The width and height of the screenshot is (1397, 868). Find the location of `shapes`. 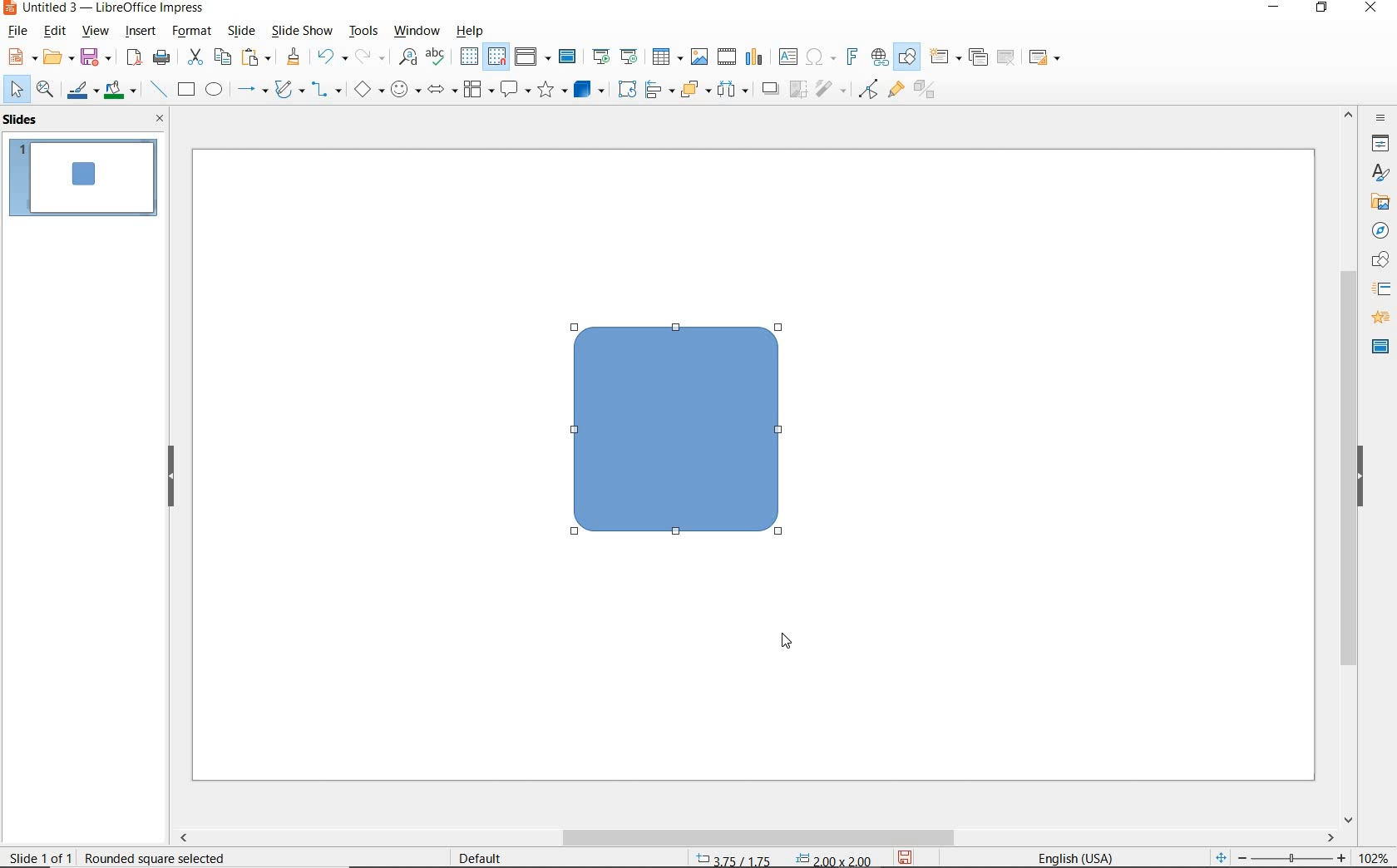

shapes is located at coordinates (1377, 260).